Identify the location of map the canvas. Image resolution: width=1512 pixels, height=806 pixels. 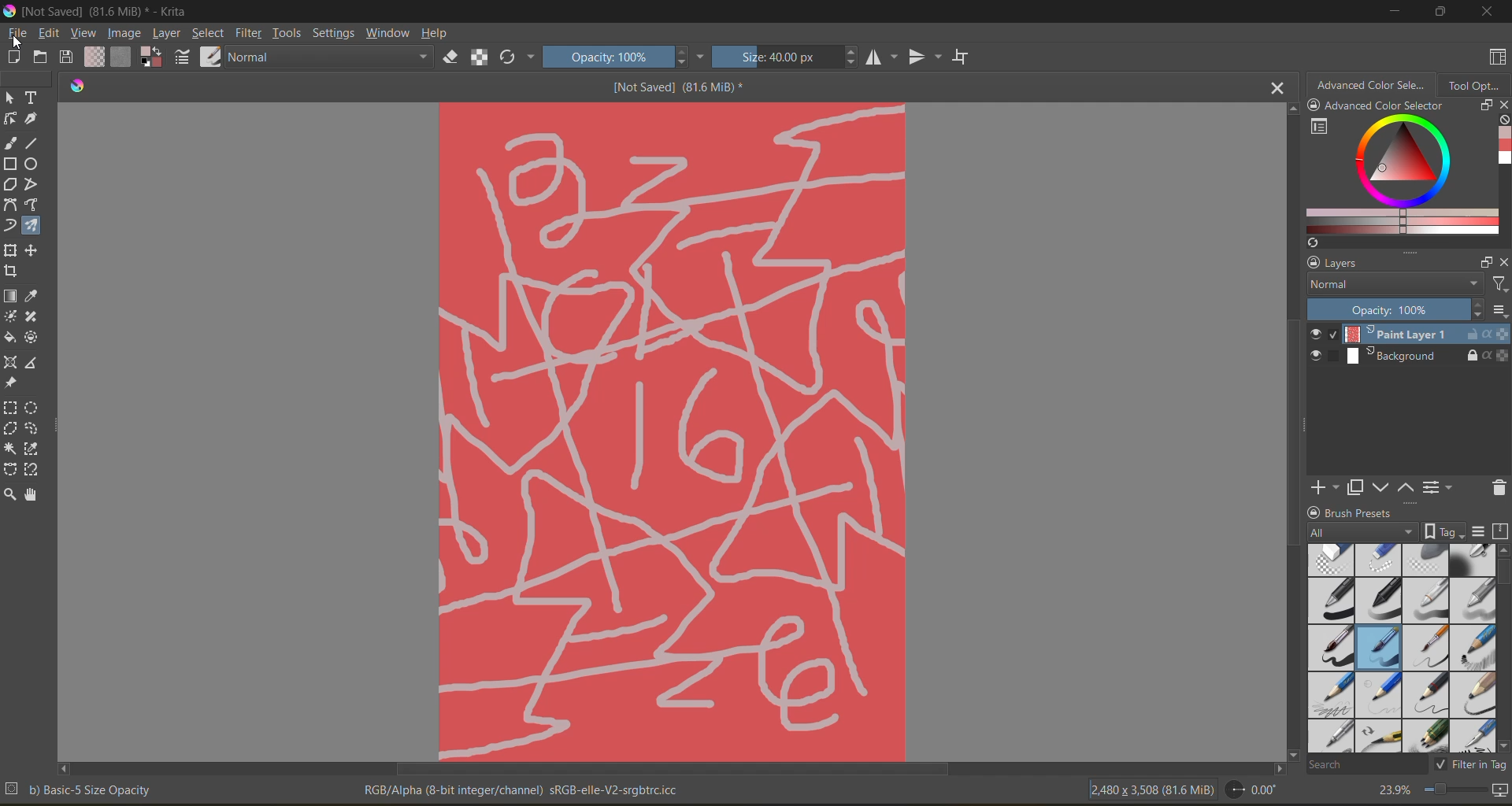
(1502, 793).